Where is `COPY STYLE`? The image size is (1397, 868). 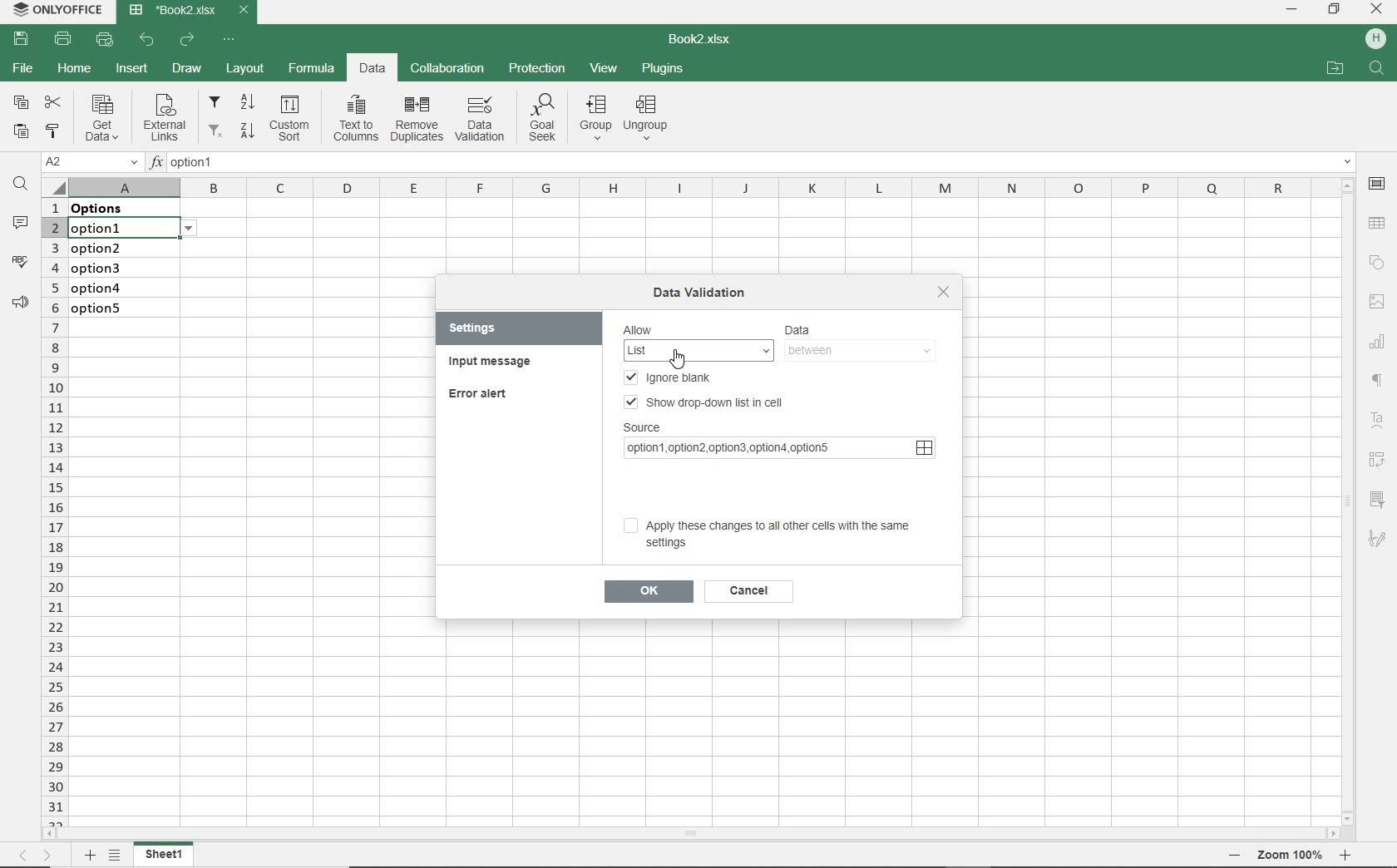 COPY STYLE is located at coordinates (53, 131).